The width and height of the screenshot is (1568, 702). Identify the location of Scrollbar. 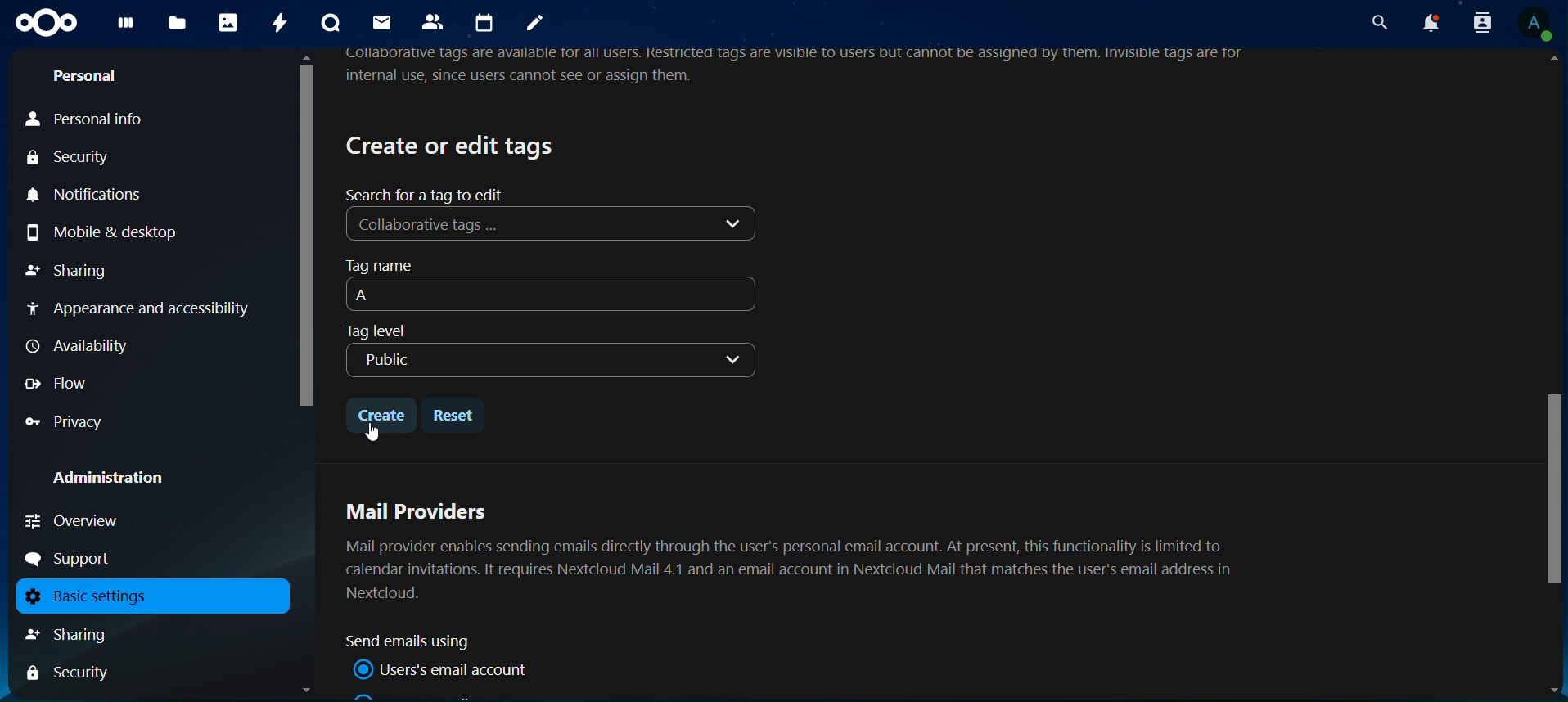
(1551, 376).